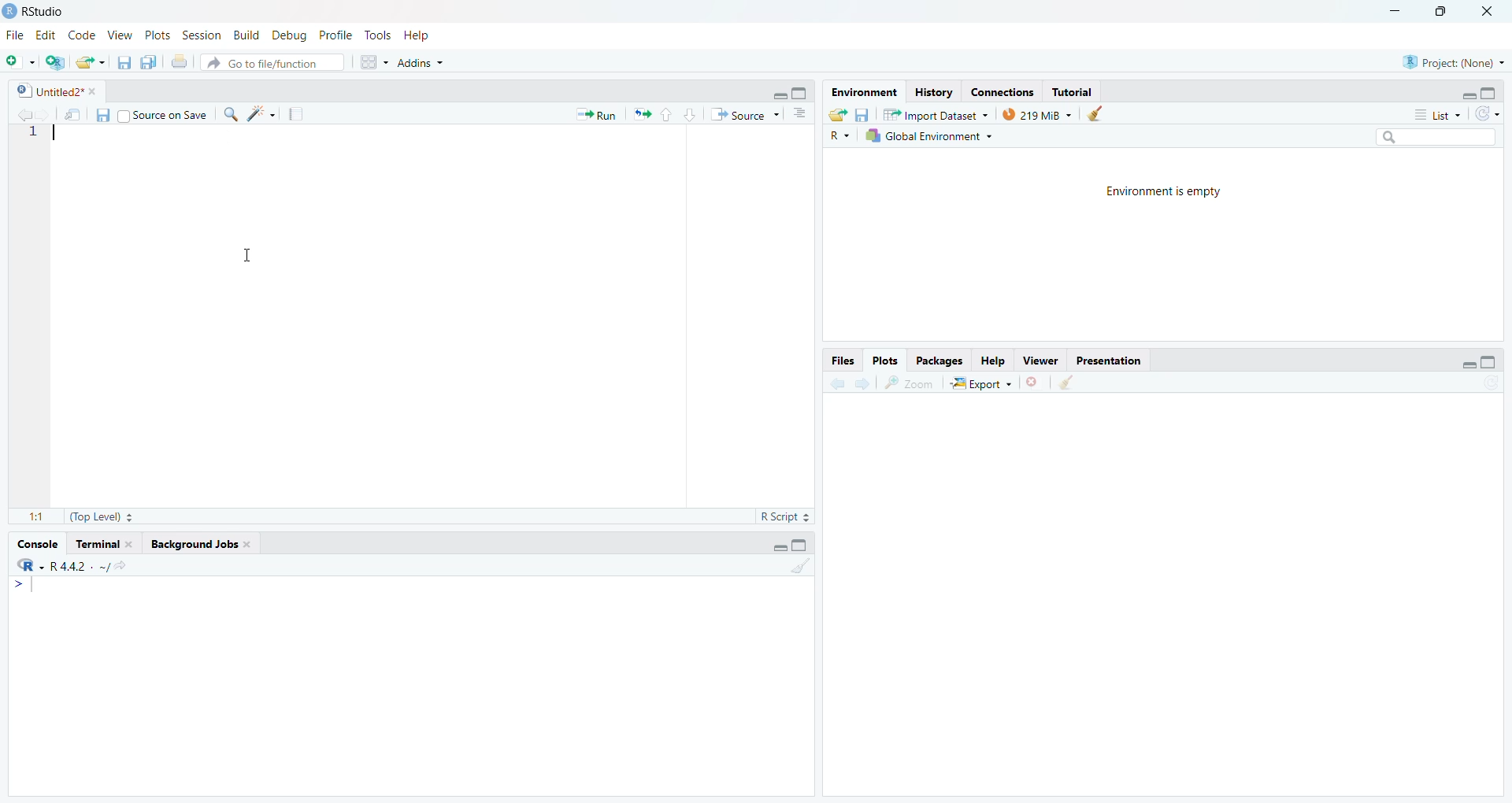 The image size is (1512, 803). Describe the element at coordinates (802, 92) in the screenshot. I see `Full height` at that location.